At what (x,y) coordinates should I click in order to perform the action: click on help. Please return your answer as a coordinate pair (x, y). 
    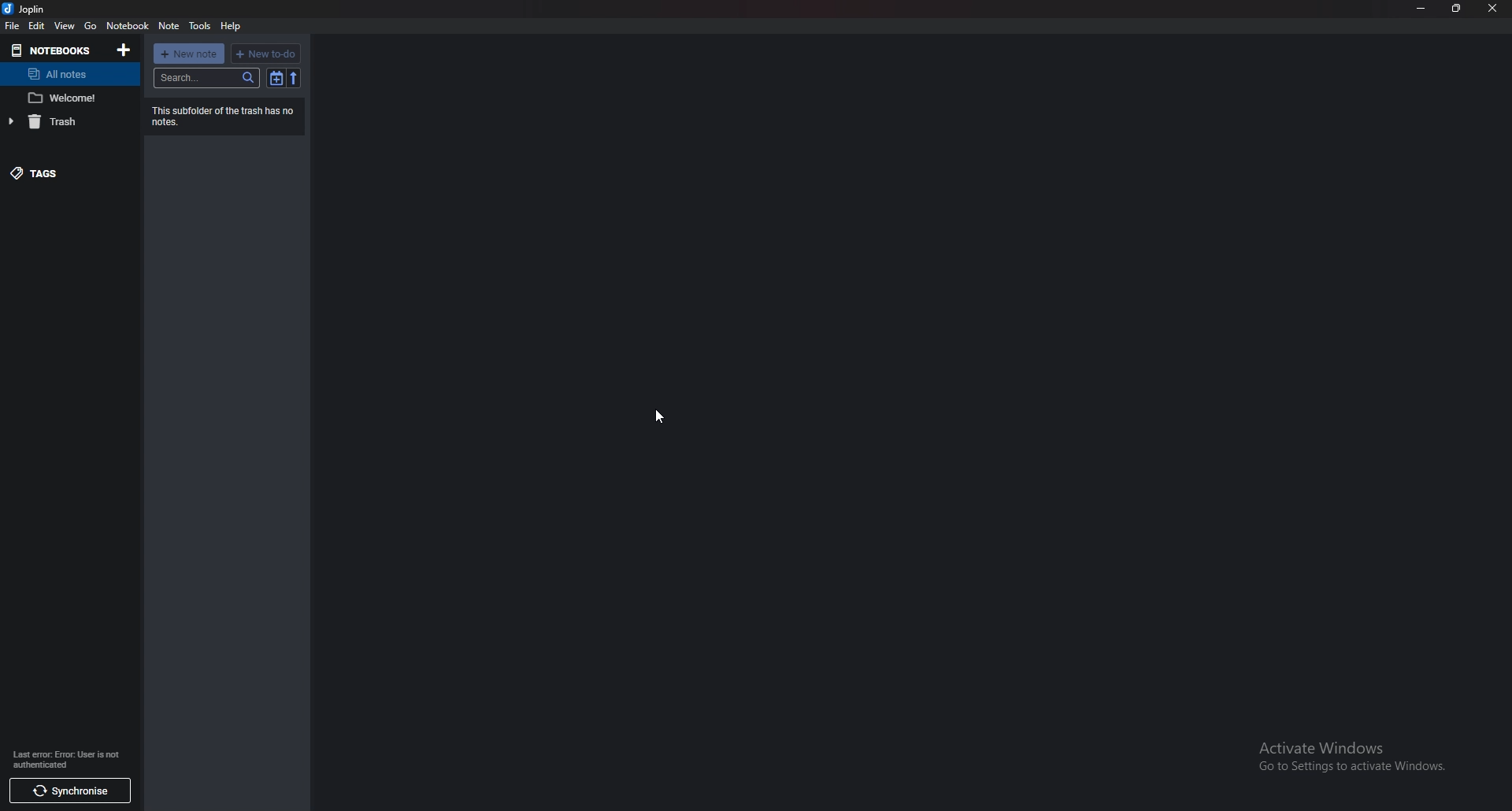
    Looking at the image, I should click on (231, 27).